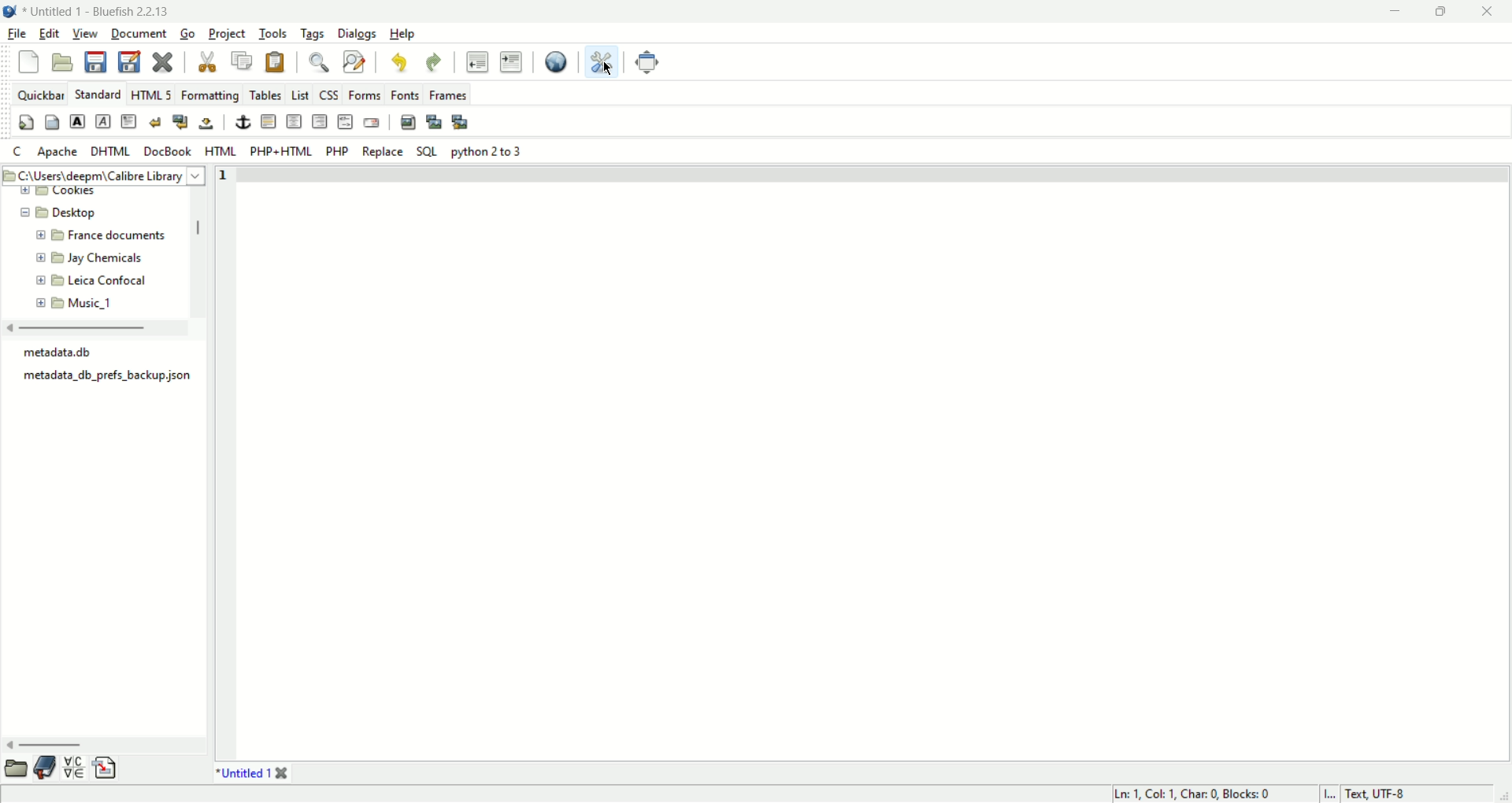 This screenshot has height=803, width=1512. Describe the element at coordinates (78, 122) in the screenshot. I see `strong` at that location.